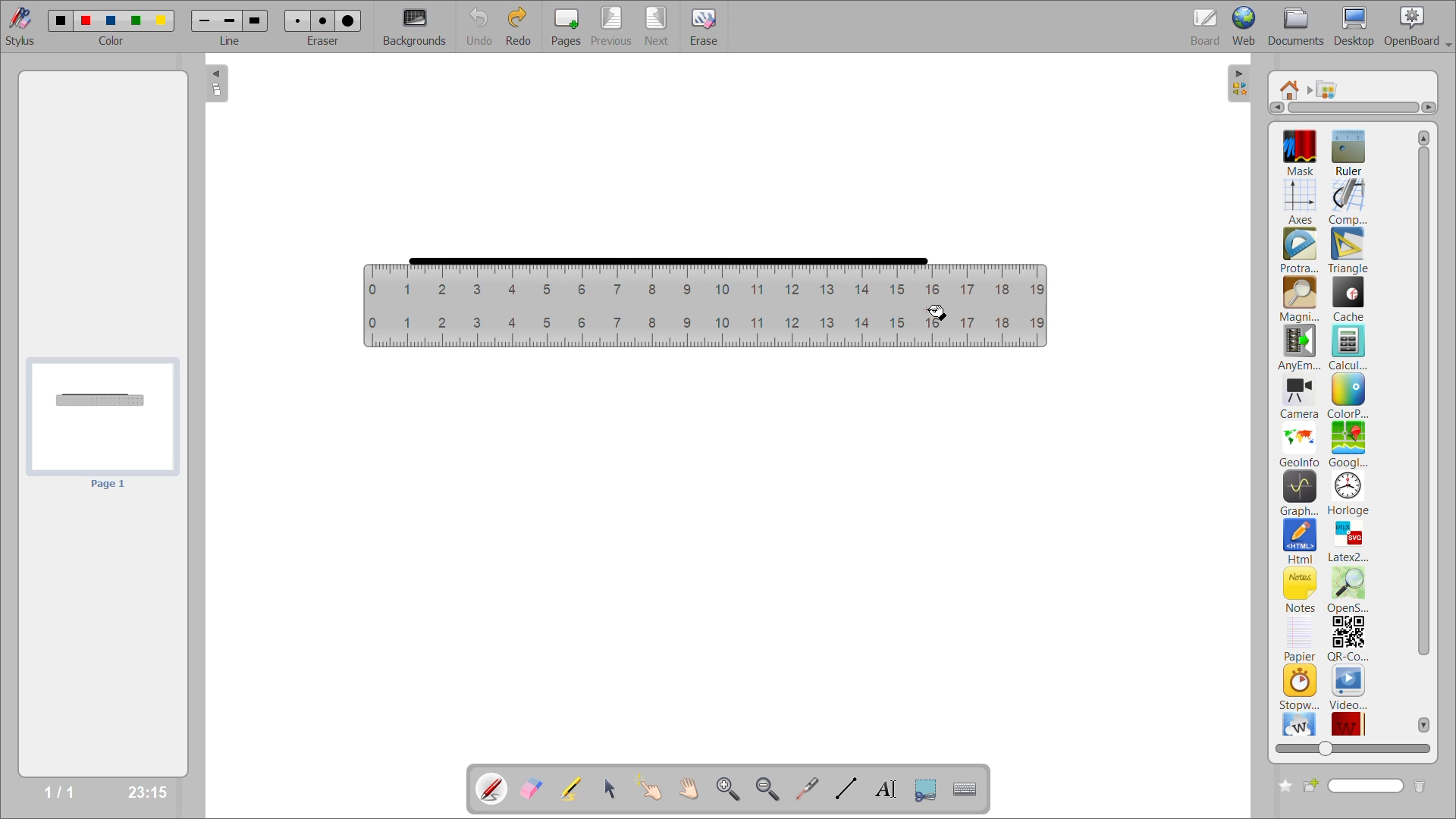 This screenshot has width=1456, height=819. I want to click on triangle, so click(1348, 251).